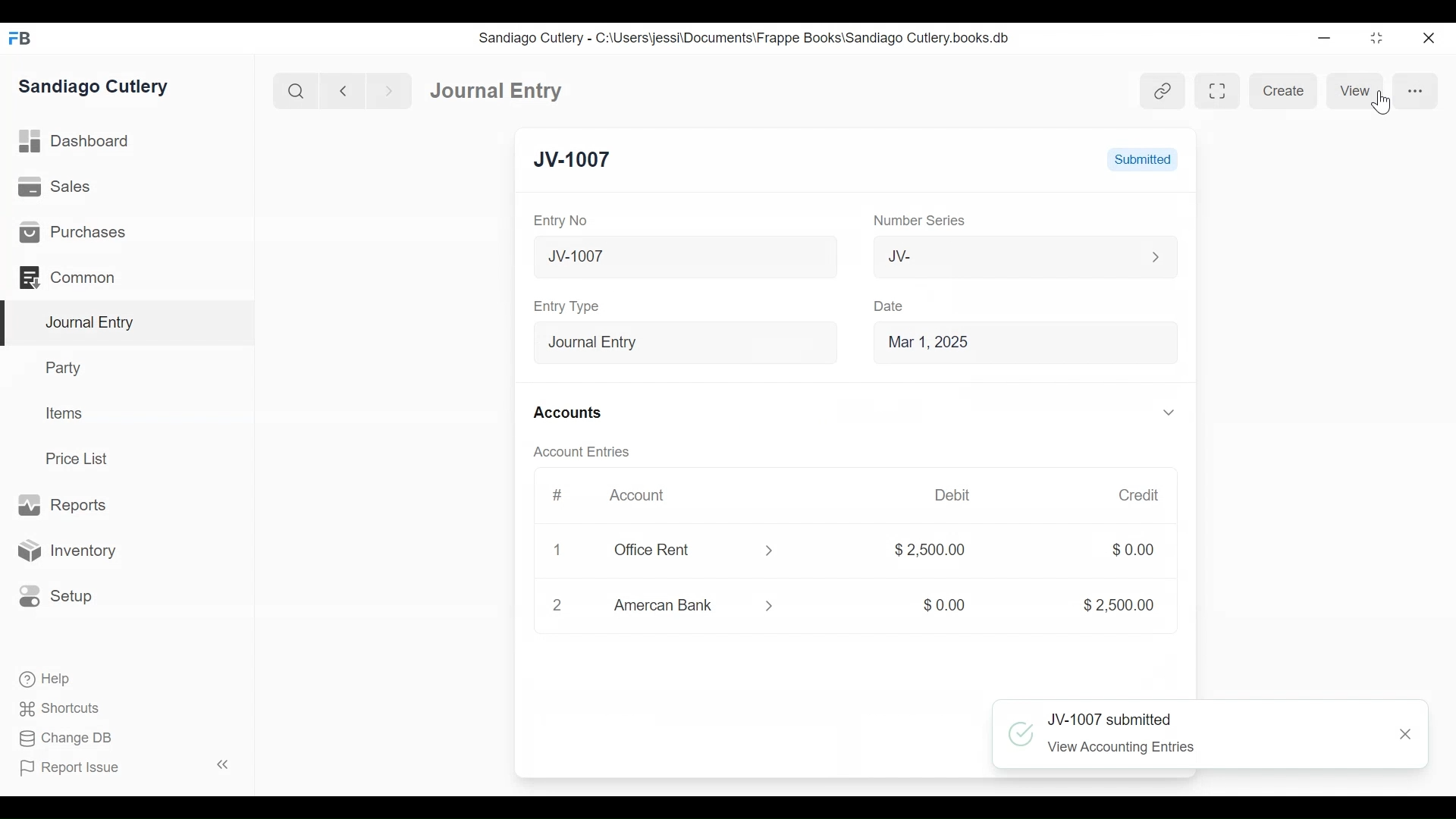 The height and width of the screenshot is (819, 1456). What do you see at coordinates (698, 608) in the screenshot?
I see `American Bank` at bounding box center [698, 608].